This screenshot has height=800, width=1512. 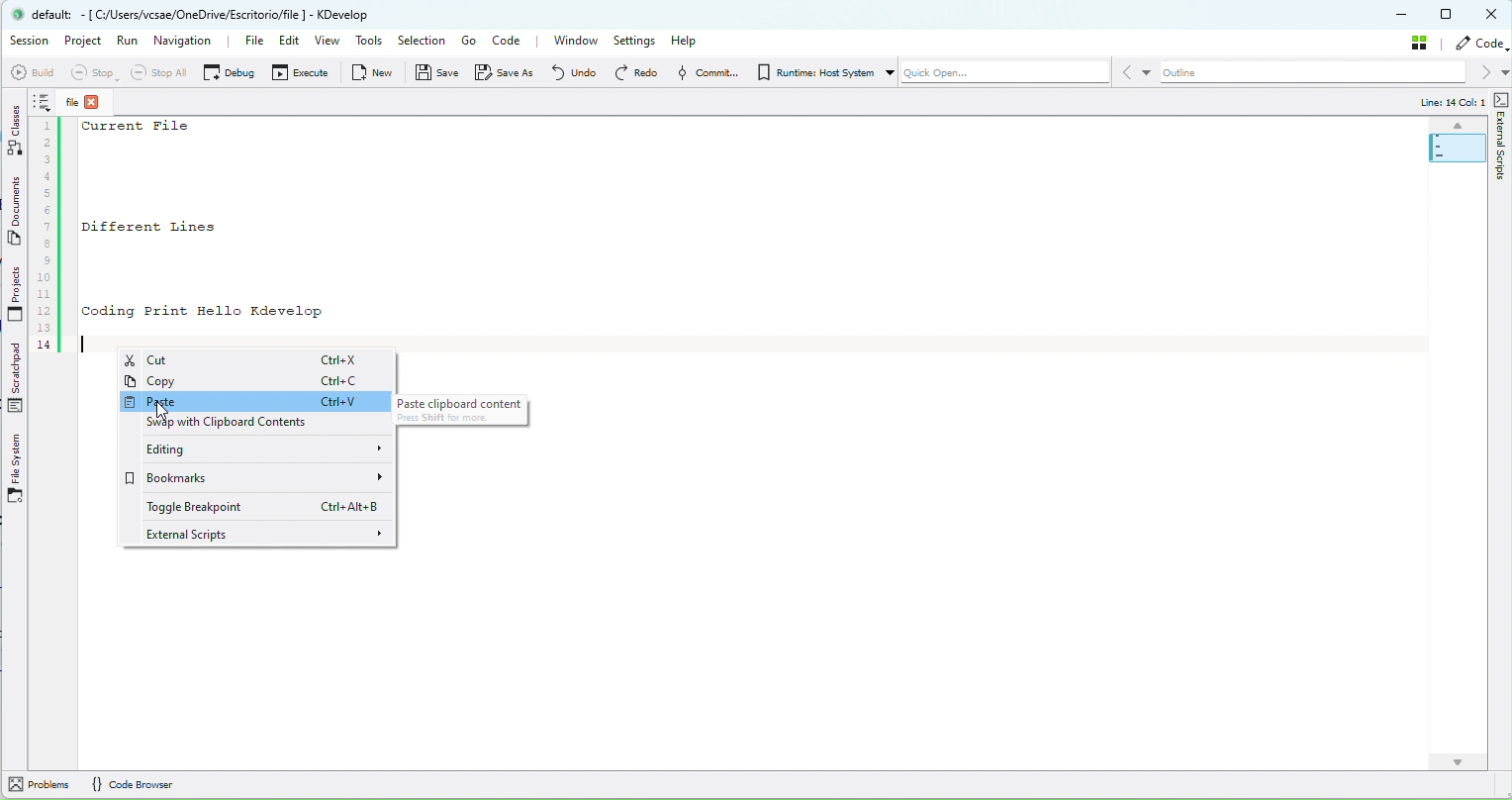 What do you see at coordinates (464, 410) in the screenshot?
I see `Paster clipboard content (Press Shift for more)` at bounding box center [464, 410].